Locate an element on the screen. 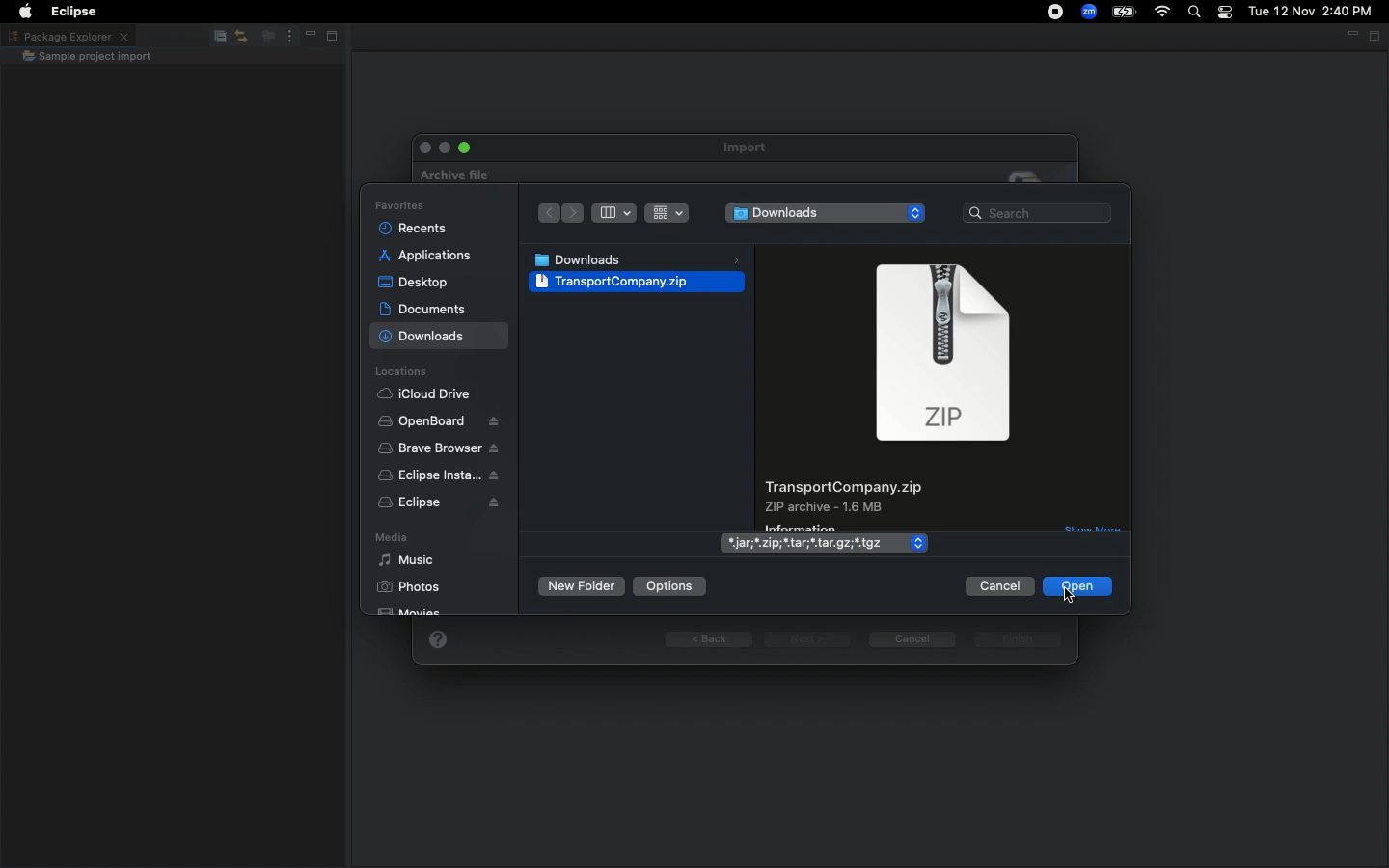 The height and width of the screenshot is (868, 1389). Transportcompany.zip is located at coordinates (634, 290).